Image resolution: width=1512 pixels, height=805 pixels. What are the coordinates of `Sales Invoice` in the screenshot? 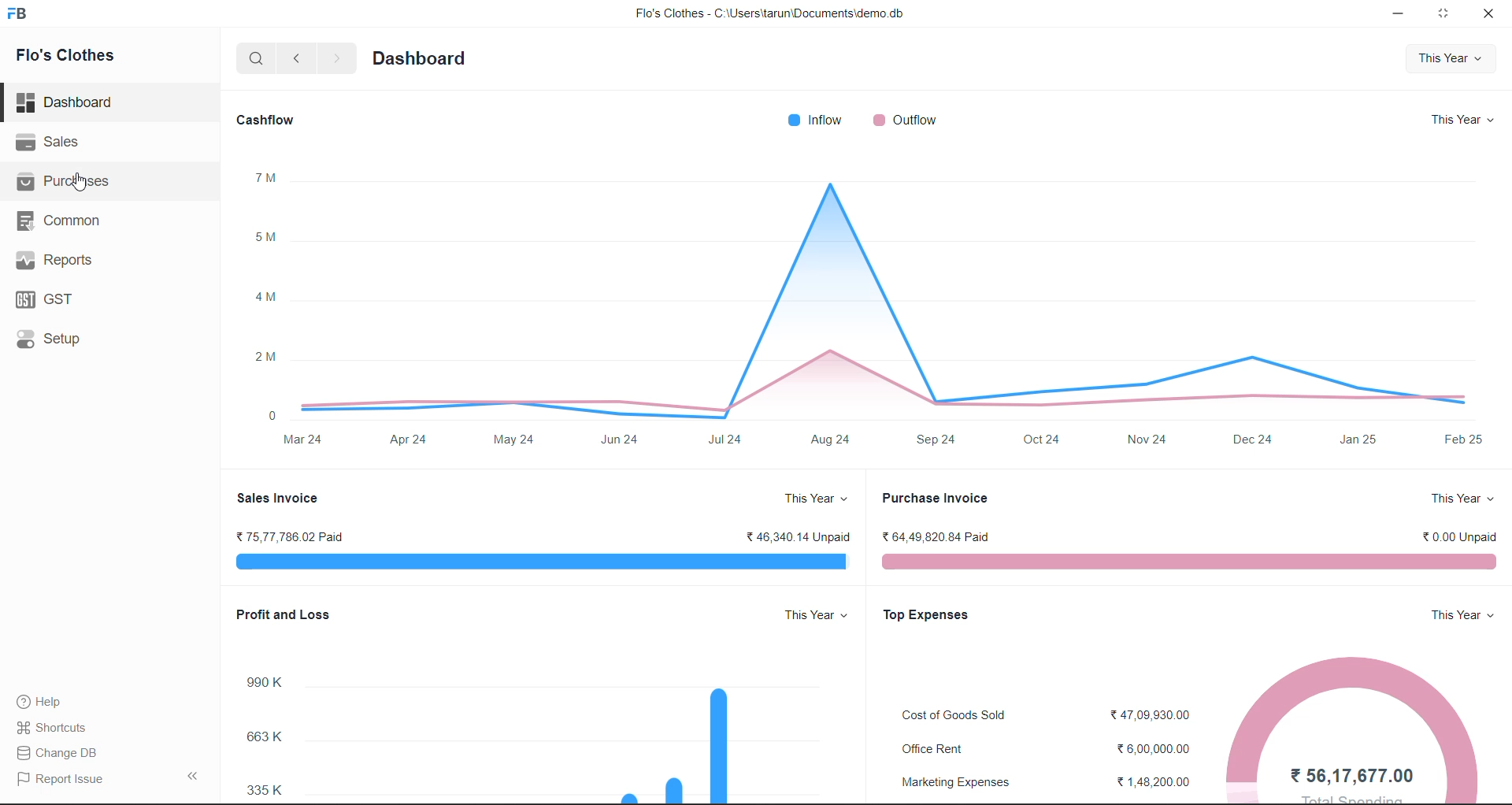 It's located at (277, 498).